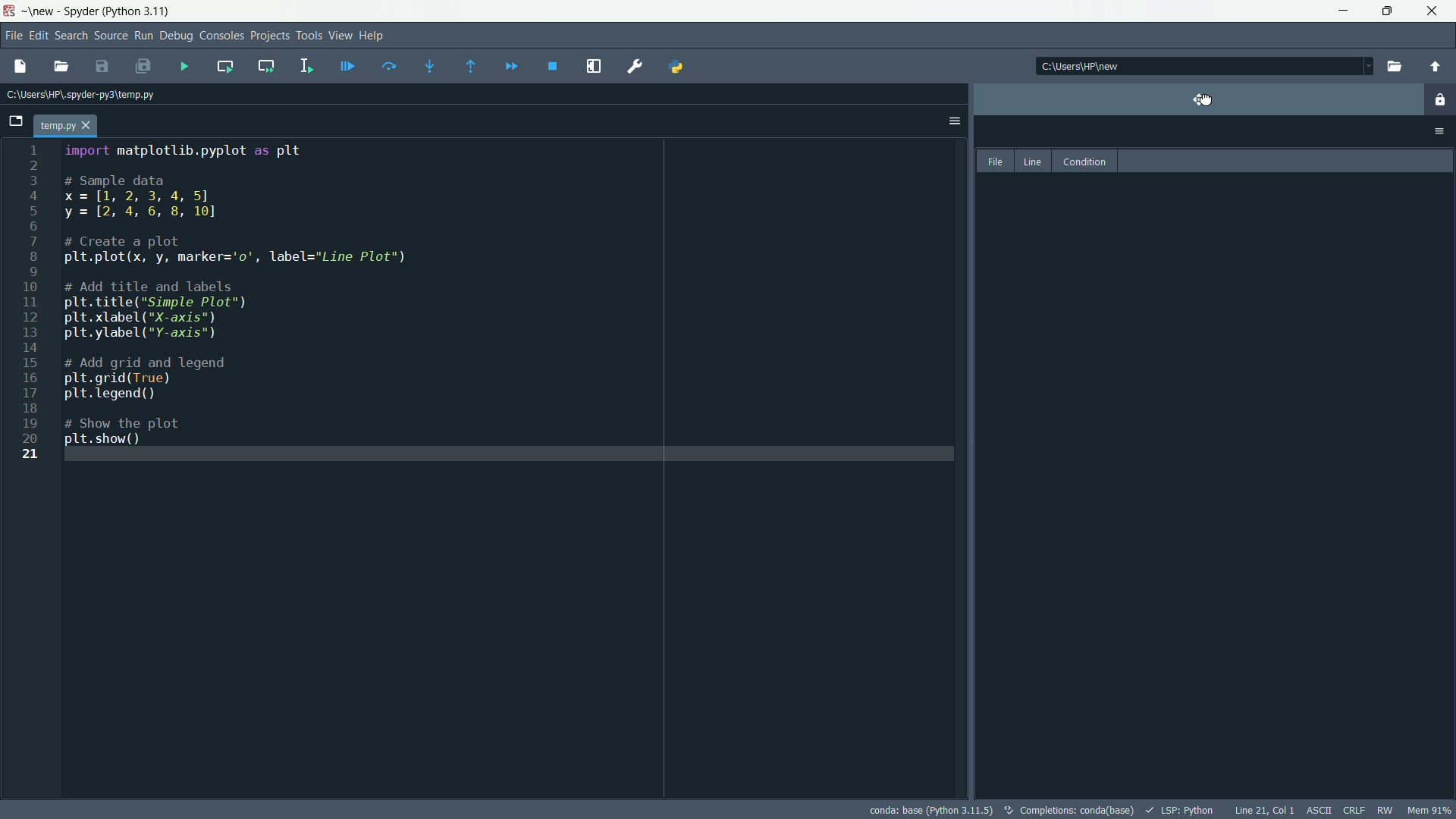 This screenshot has width=1456, height=819. I want to click on memory usage, so click(1429, 810).